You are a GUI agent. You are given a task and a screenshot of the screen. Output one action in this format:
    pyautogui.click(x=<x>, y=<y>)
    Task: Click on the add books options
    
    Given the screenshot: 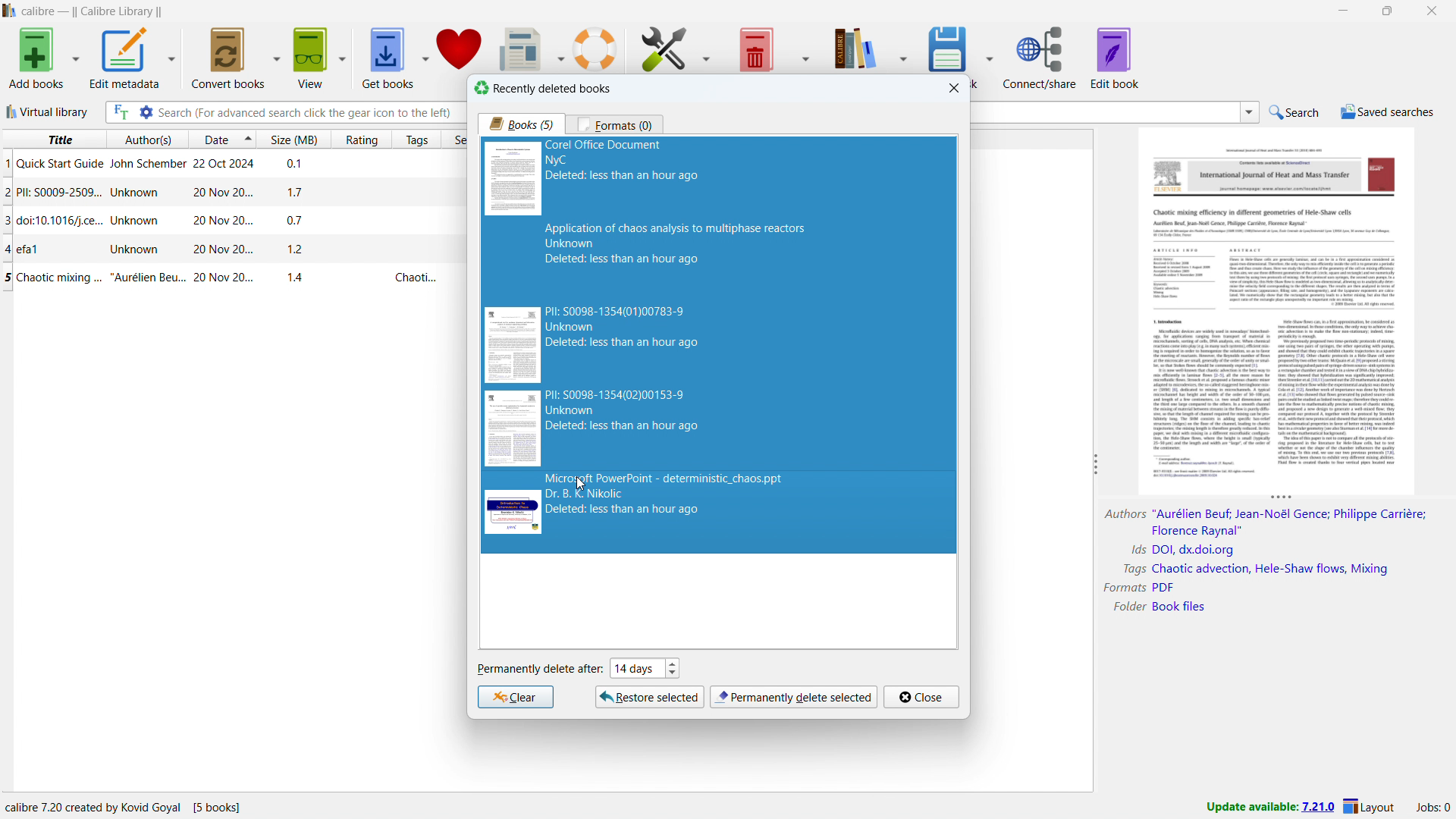 What is the action you would take?
    pyautogui.click(x=75, y=58)
    